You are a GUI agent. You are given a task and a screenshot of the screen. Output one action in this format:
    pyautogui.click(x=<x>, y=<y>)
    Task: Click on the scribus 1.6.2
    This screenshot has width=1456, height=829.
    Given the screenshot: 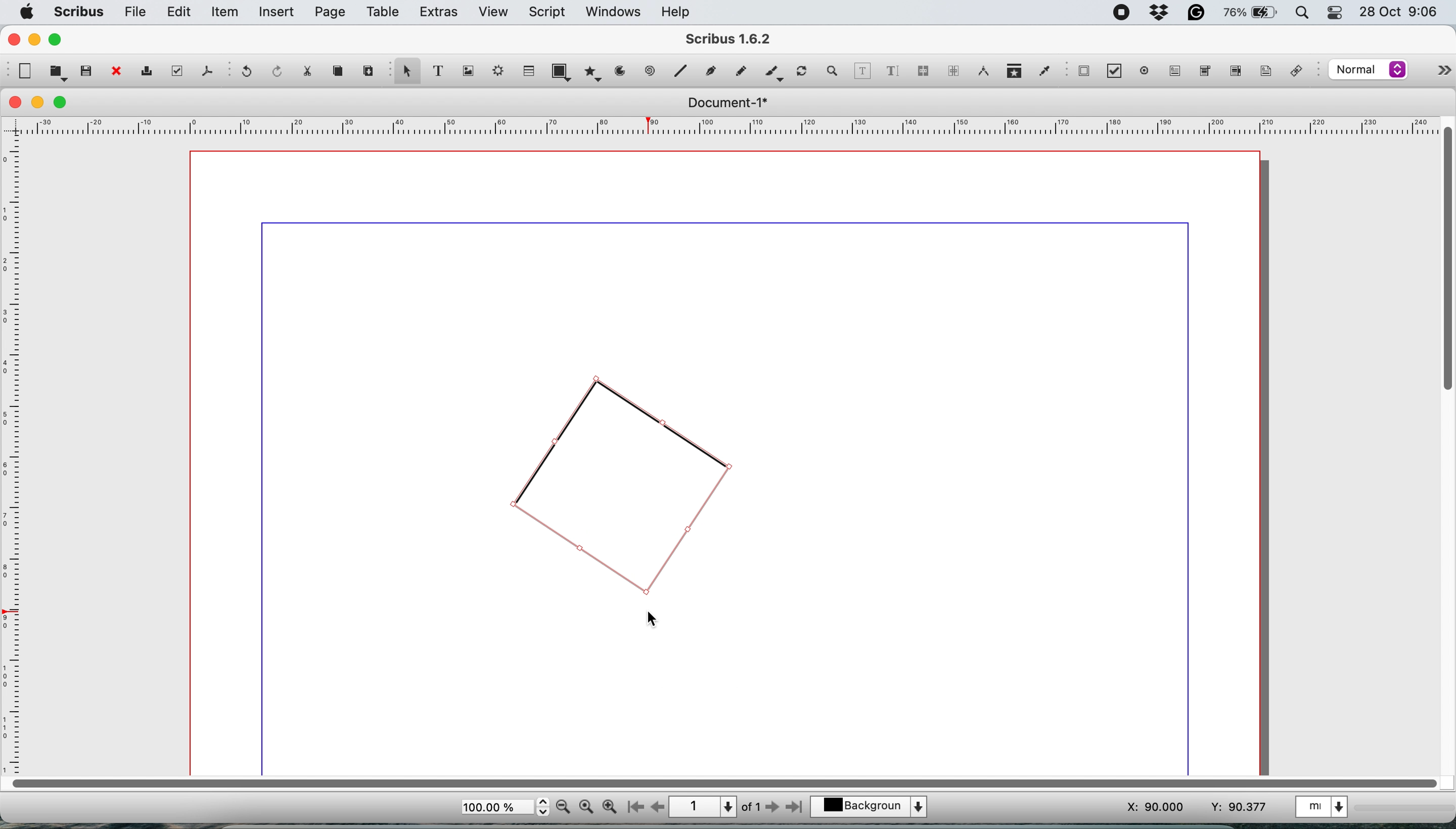 What is the action you would take?
    pyautogui.click(x=740, y=39)
    